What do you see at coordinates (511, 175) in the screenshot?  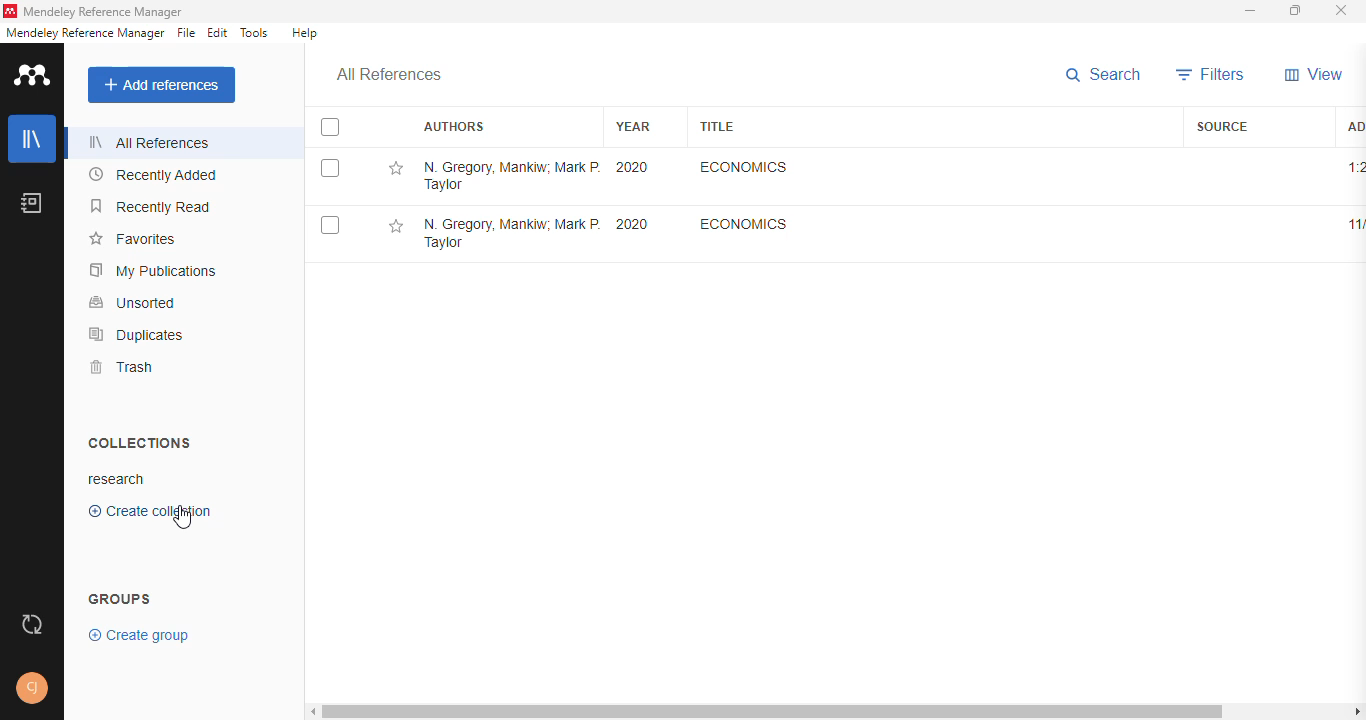 I see `N. Gregory Mankiw, Mark P. Taylor` at bounding box center [511, 175].